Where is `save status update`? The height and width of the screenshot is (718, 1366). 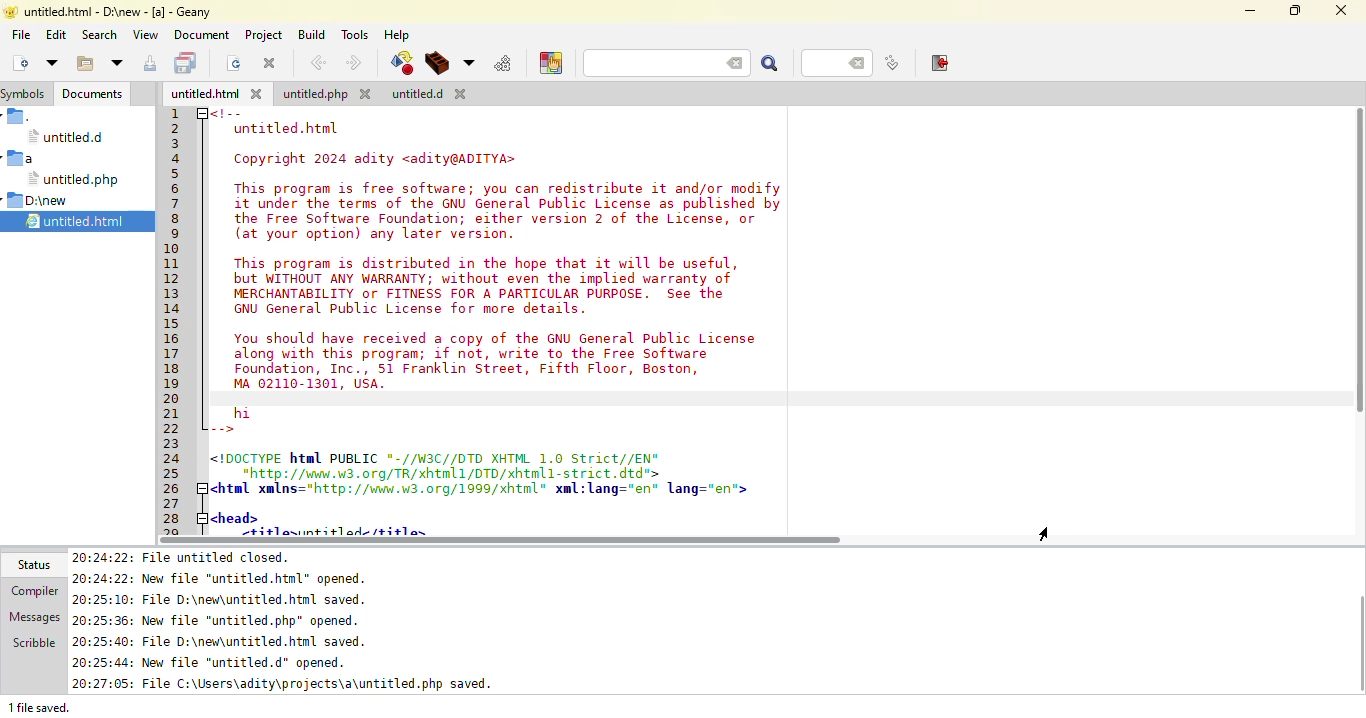
save status update is located at coordinates (290, 684).